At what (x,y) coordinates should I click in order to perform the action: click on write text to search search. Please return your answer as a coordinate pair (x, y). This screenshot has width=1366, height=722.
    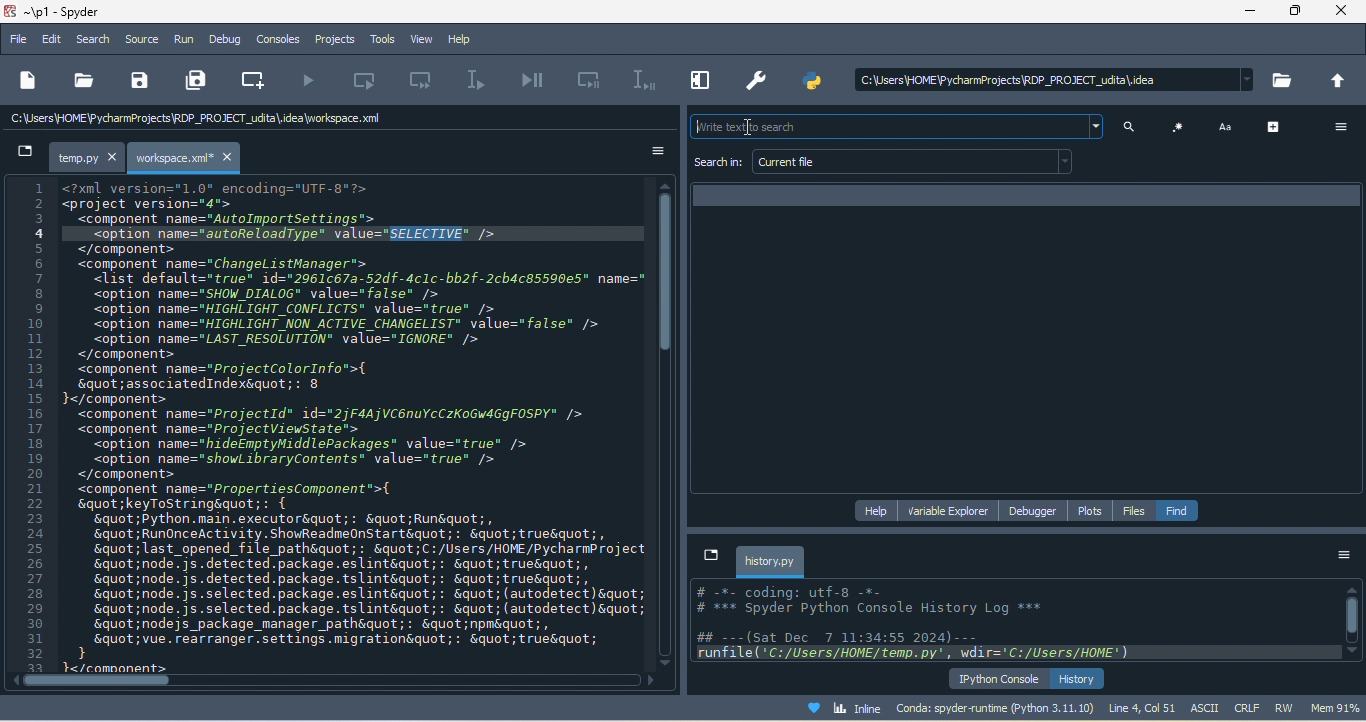
    Looking at the image, I should click on (893, 127).